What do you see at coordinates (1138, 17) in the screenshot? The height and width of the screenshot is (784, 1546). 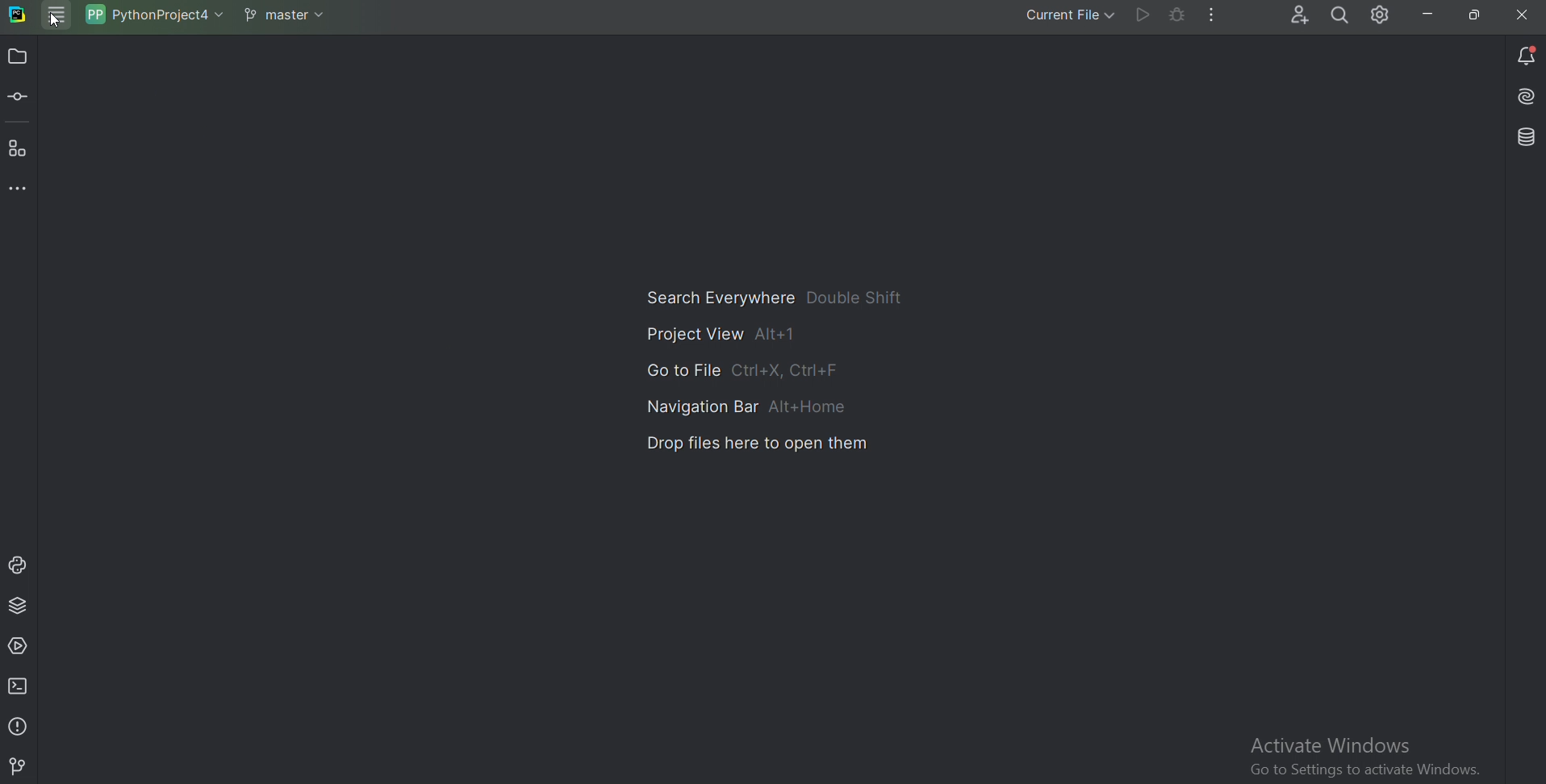 I see `Run` at bounding box center [1138, 17].